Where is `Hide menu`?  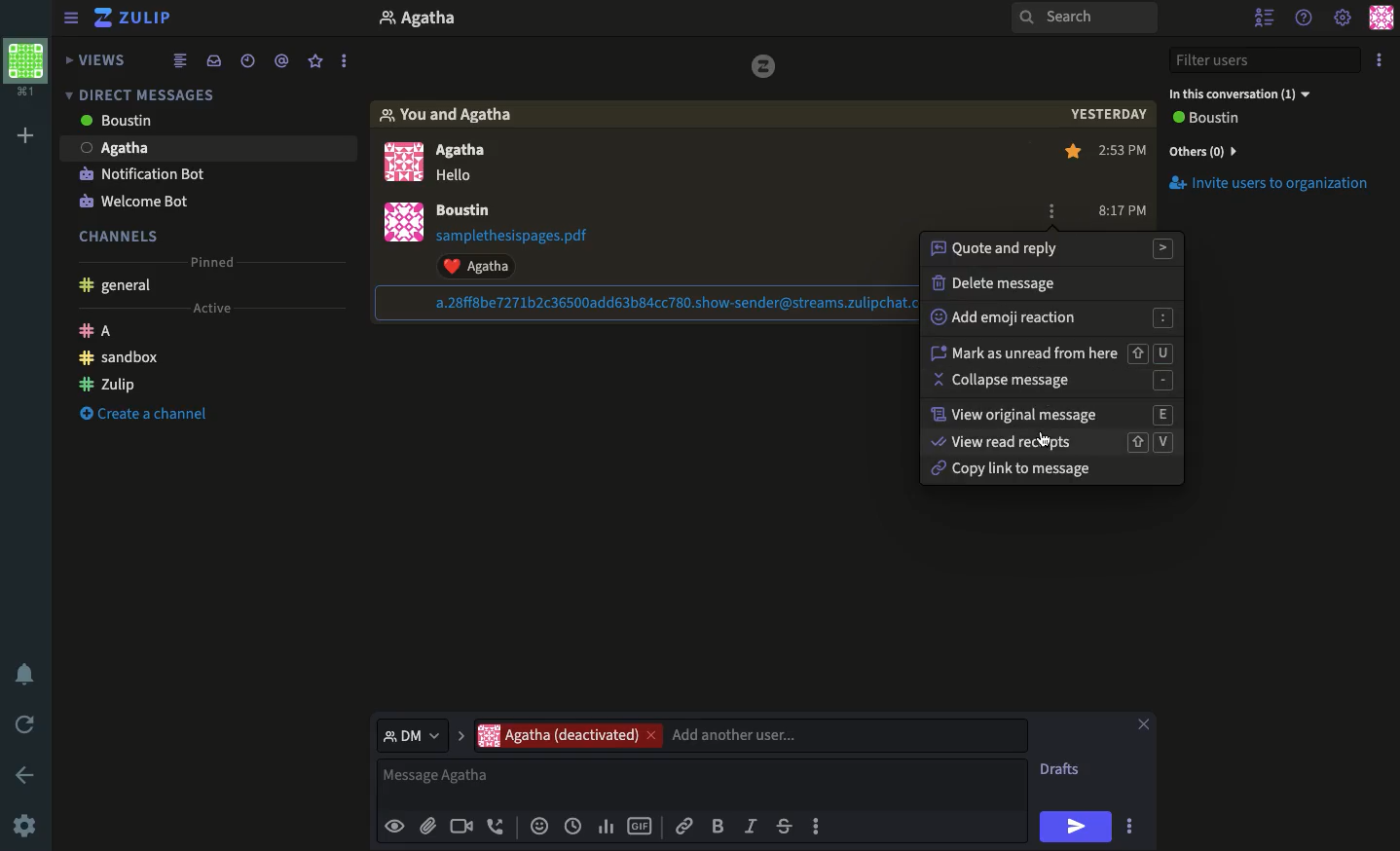
Hide menu is located at coordinates (71, 16).